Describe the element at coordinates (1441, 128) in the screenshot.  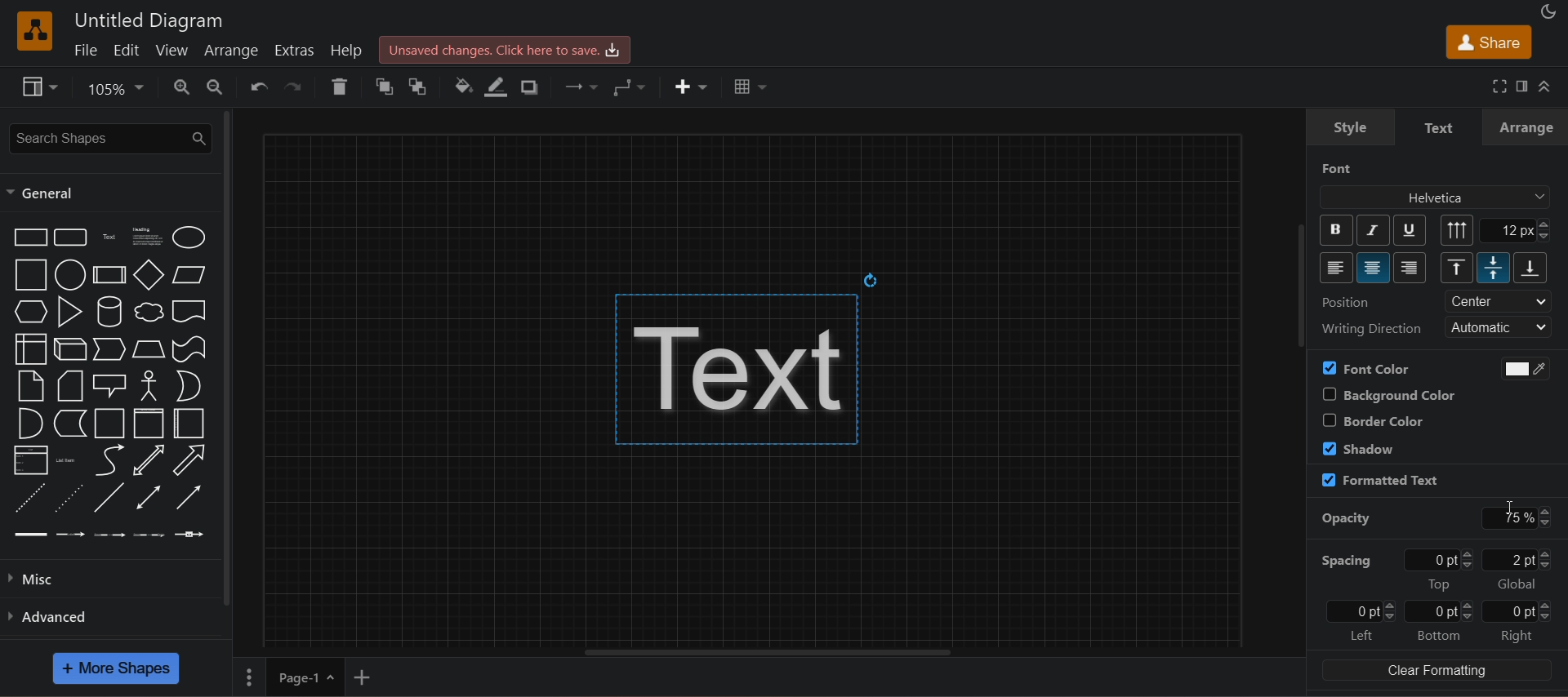
I see `text` at that location.